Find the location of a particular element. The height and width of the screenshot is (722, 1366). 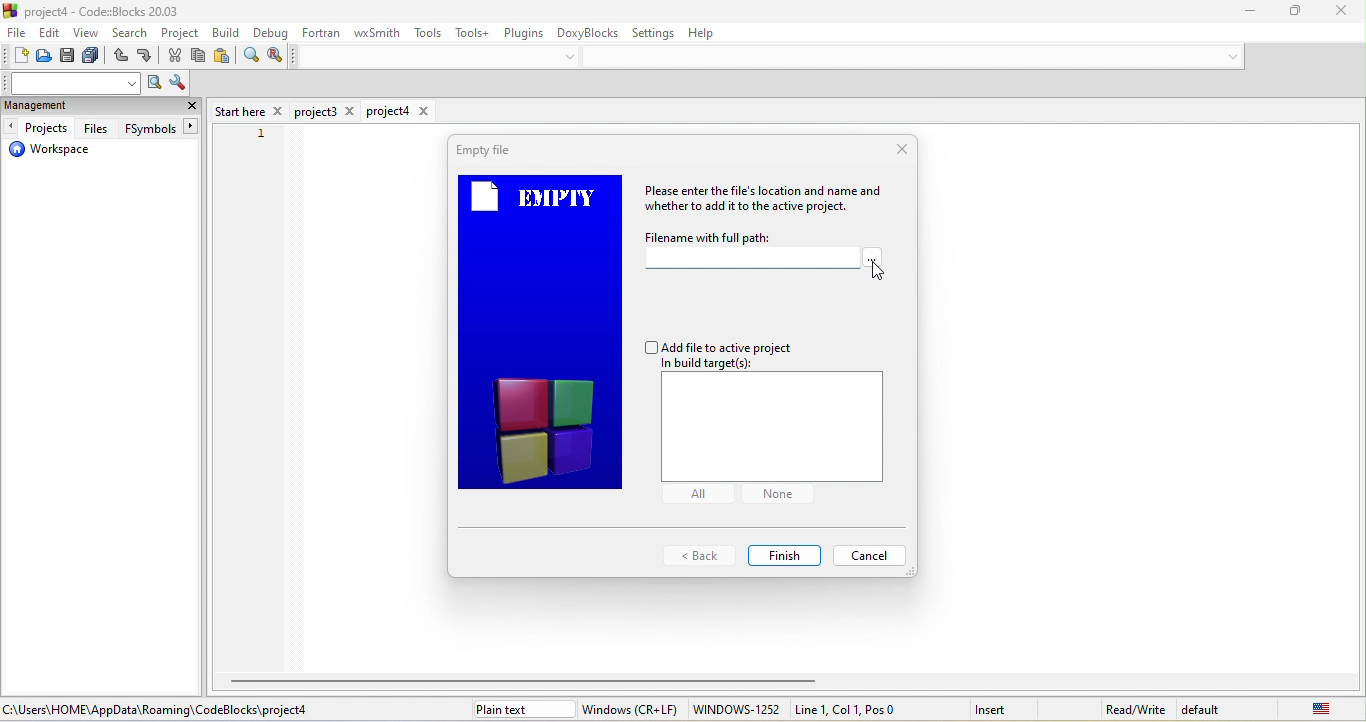

find is located at coordinates (250, 58).